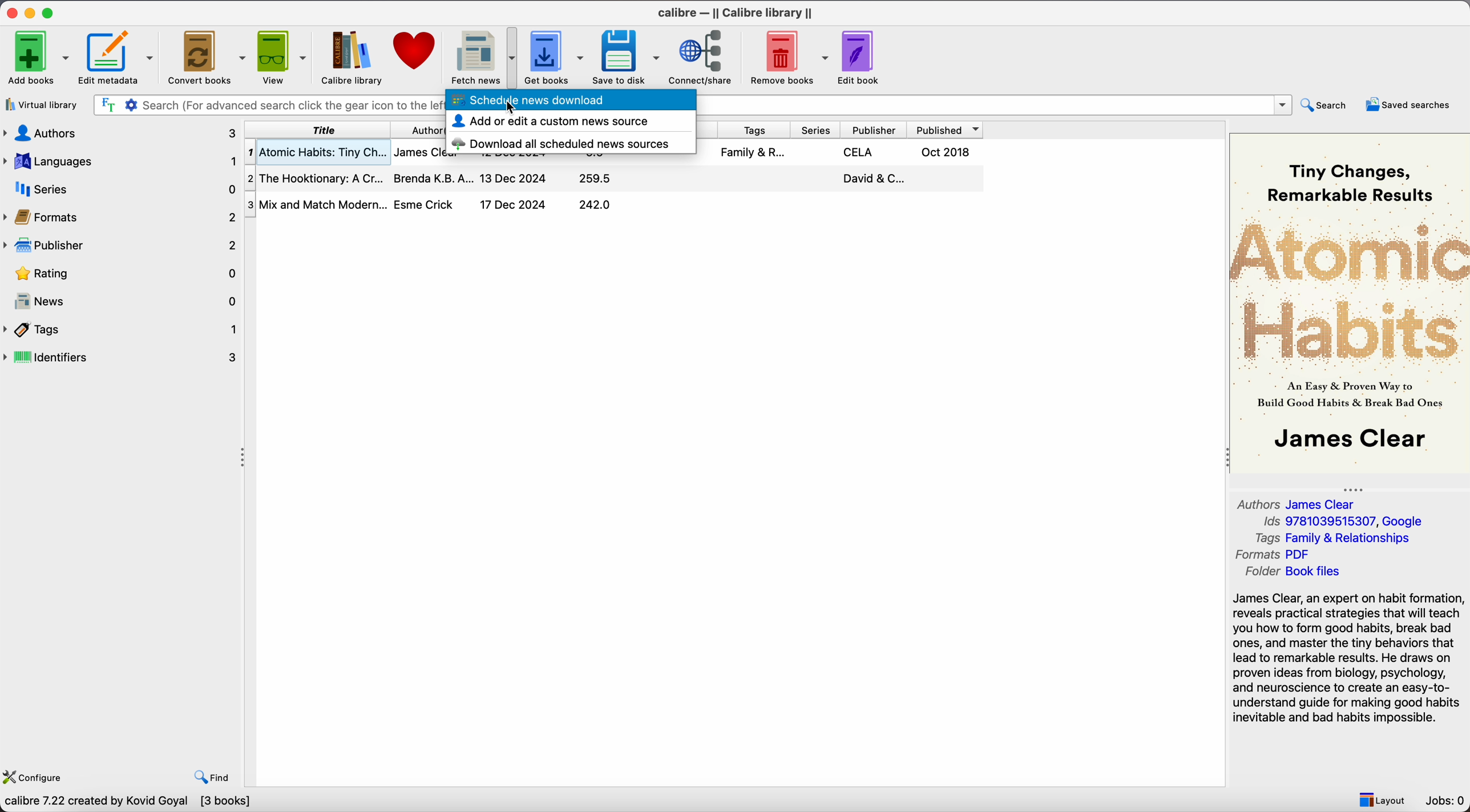 The image size is (1470, 812). I want to click on synopsis, so click(1350, 659).